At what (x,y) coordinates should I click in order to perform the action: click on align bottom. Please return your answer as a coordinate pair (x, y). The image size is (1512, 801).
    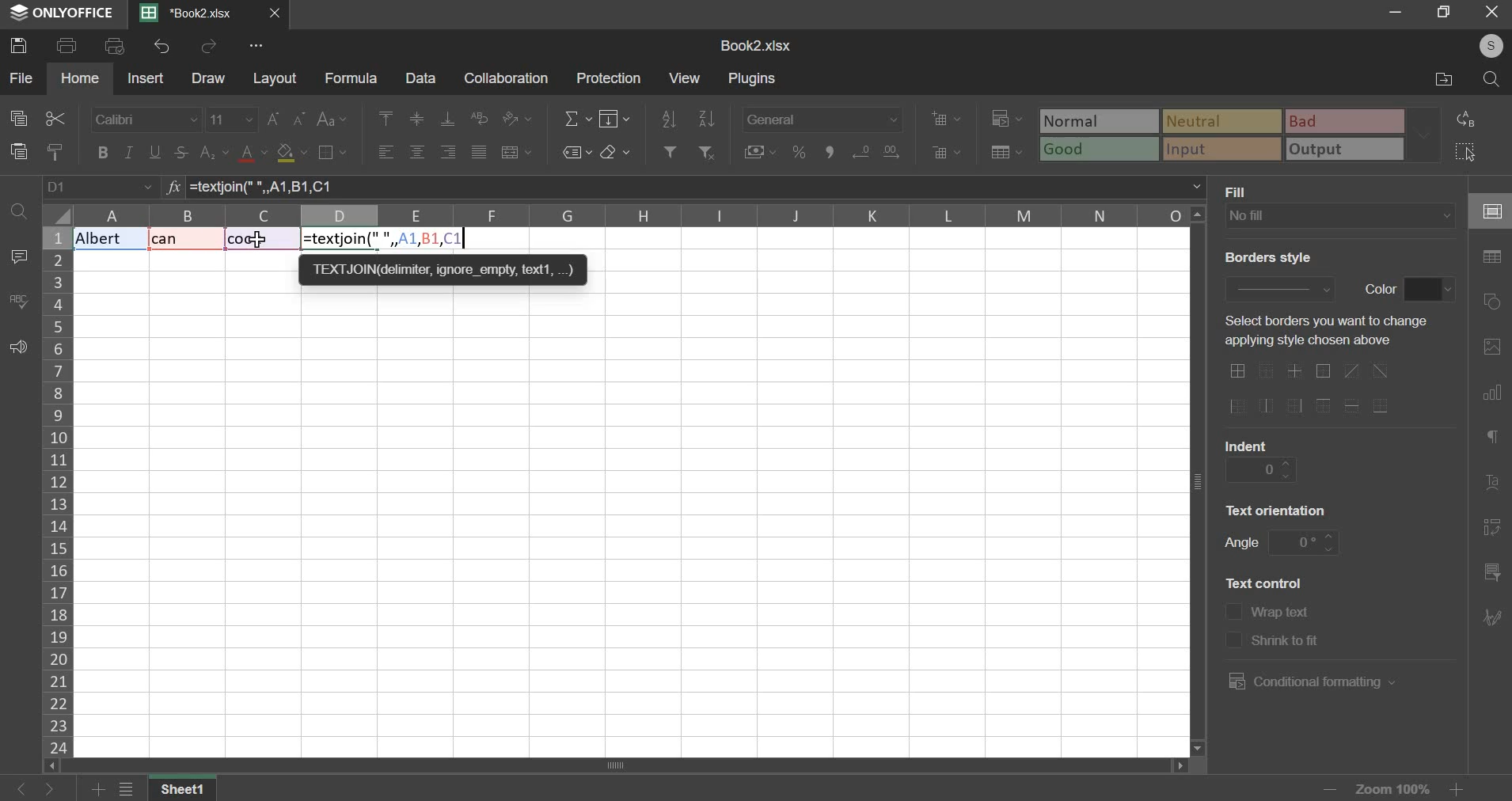
    Looking at the image, I should click on (448, 119).